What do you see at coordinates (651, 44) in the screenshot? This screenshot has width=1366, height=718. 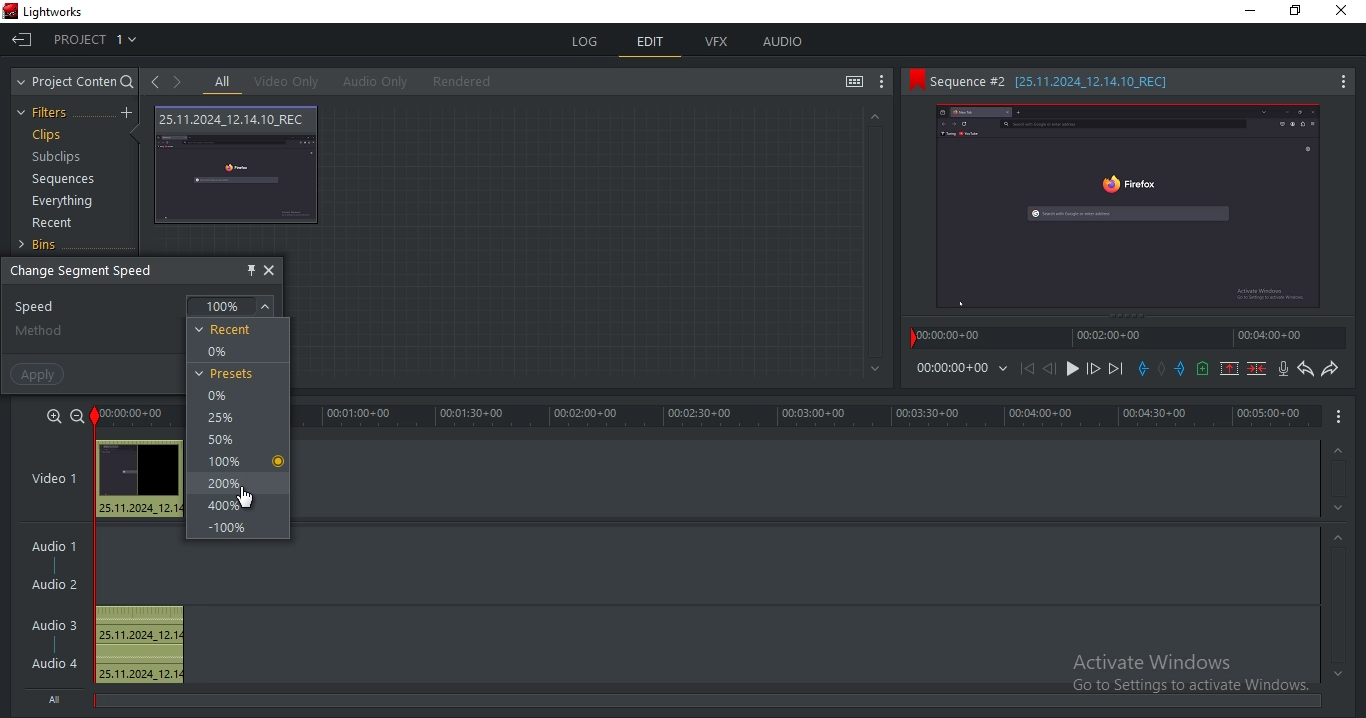 I see `edit` at bounding box center [651, 44].